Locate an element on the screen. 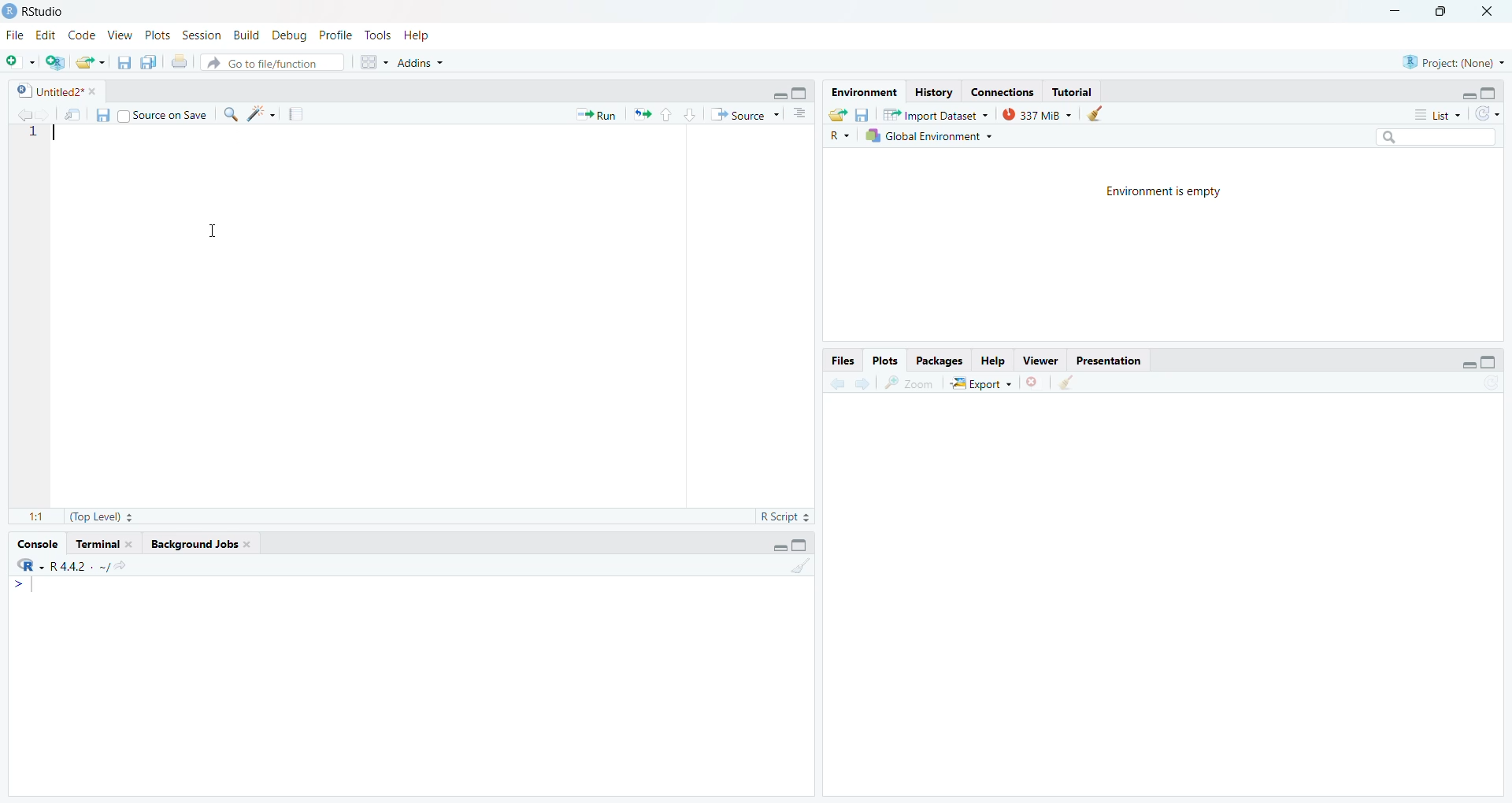 The width and height of the screenshot is (1512, 803). re run the previous code is located at coordinates (639, 114).